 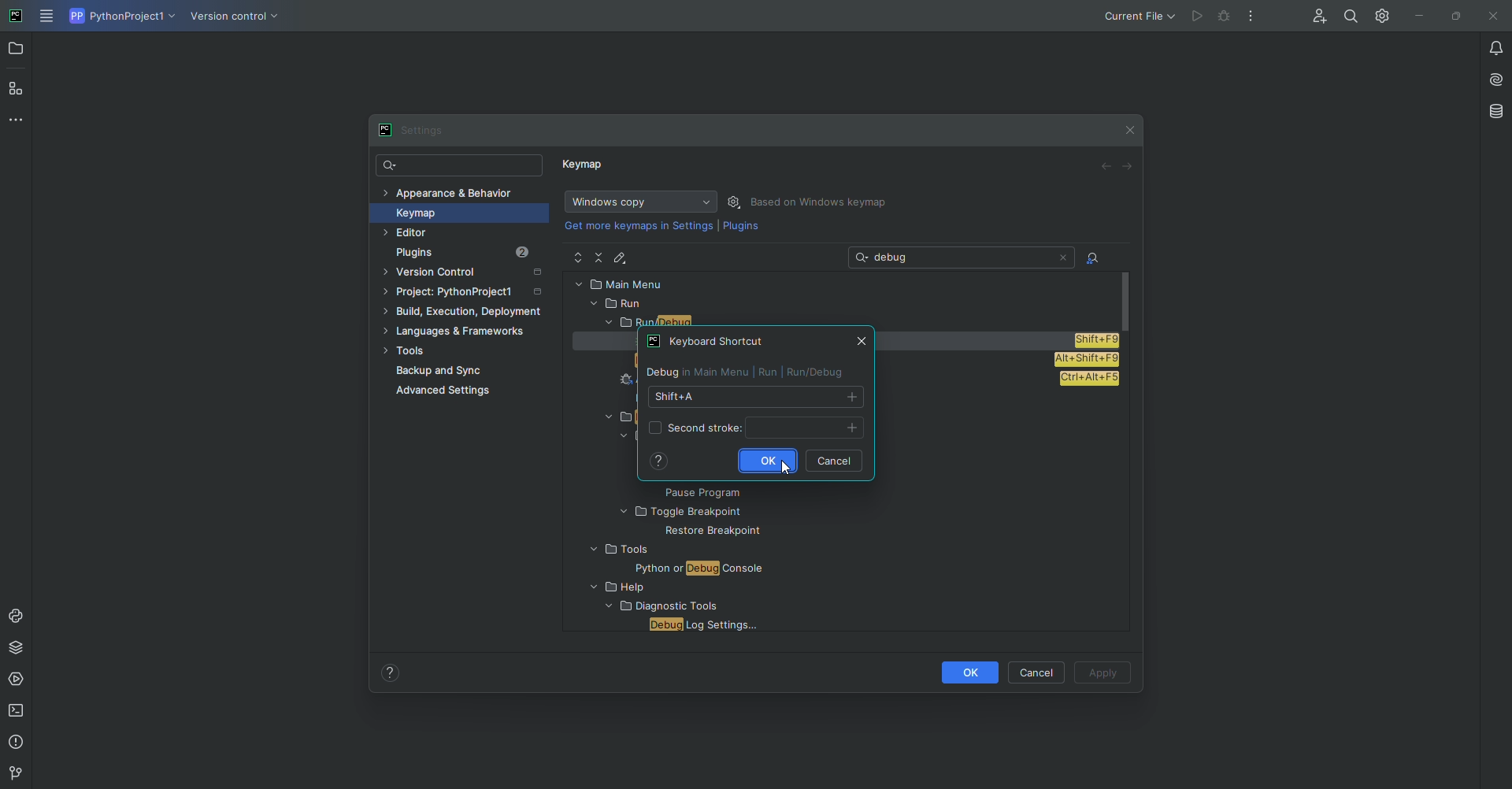 I want to click on Packages, so click(x=20, y=647).